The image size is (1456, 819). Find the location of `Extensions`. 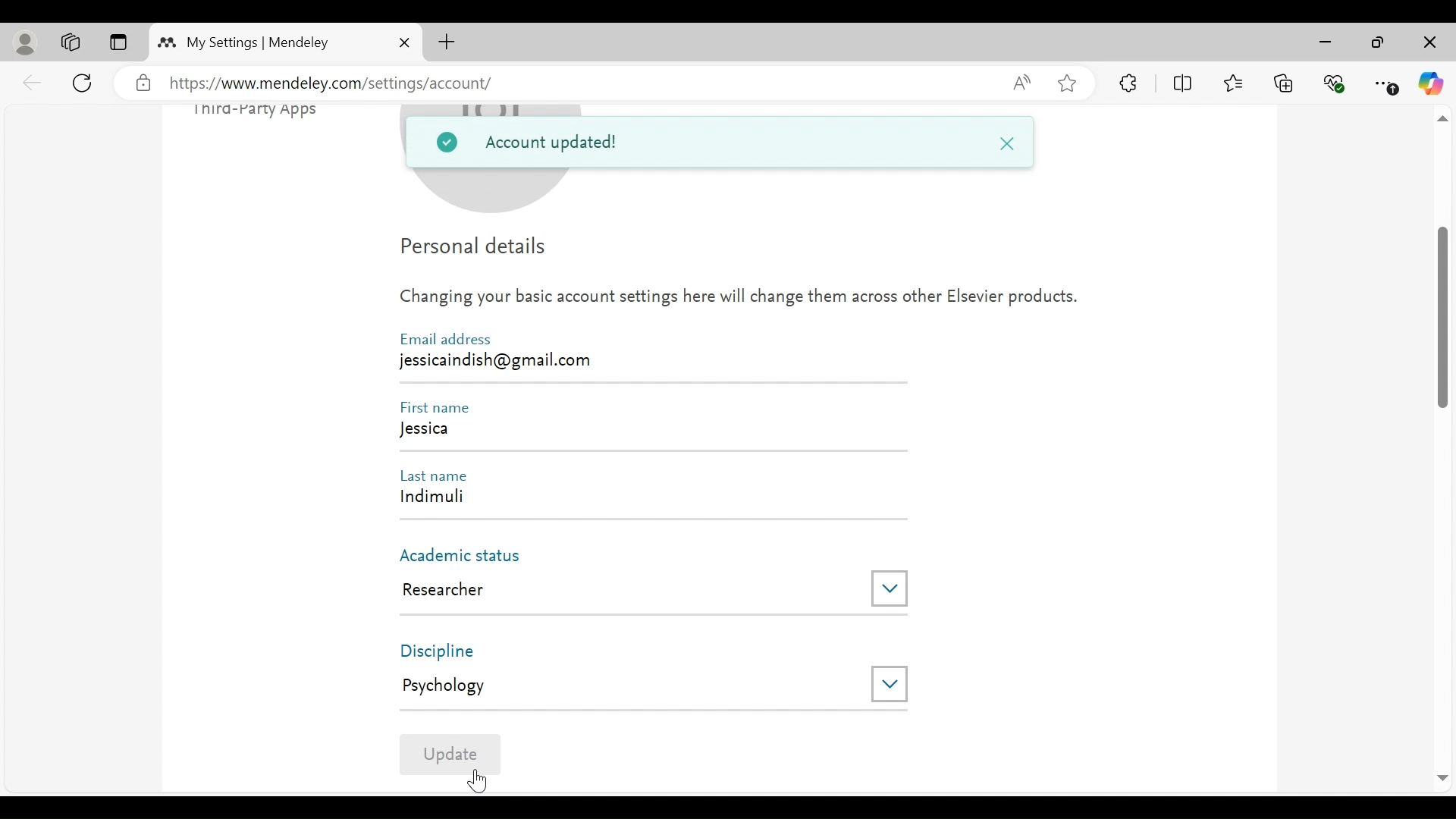

Extensions is located at coordinates (1129, 83).